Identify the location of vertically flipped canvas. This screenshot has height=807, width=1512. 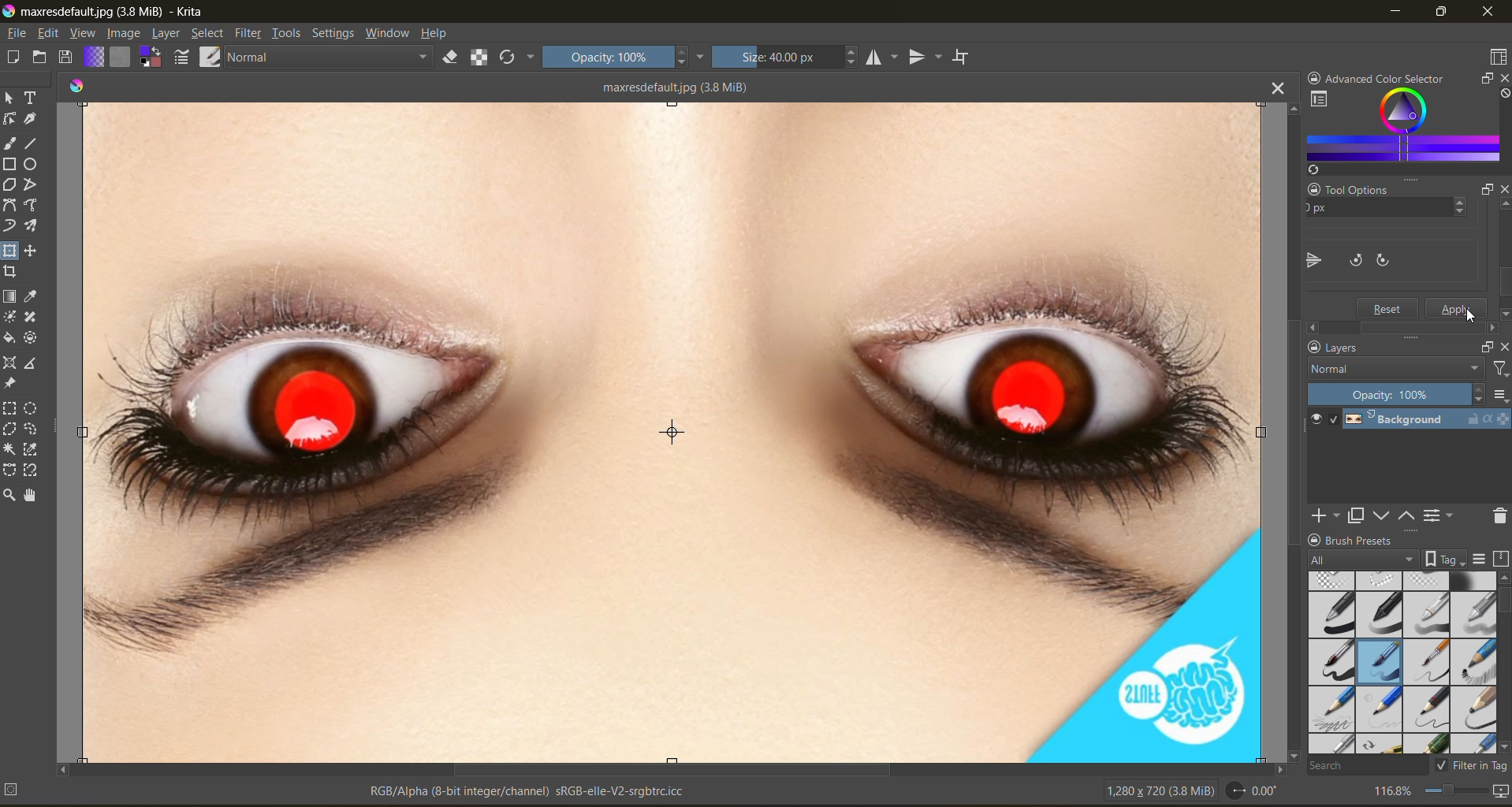
(670, 432).